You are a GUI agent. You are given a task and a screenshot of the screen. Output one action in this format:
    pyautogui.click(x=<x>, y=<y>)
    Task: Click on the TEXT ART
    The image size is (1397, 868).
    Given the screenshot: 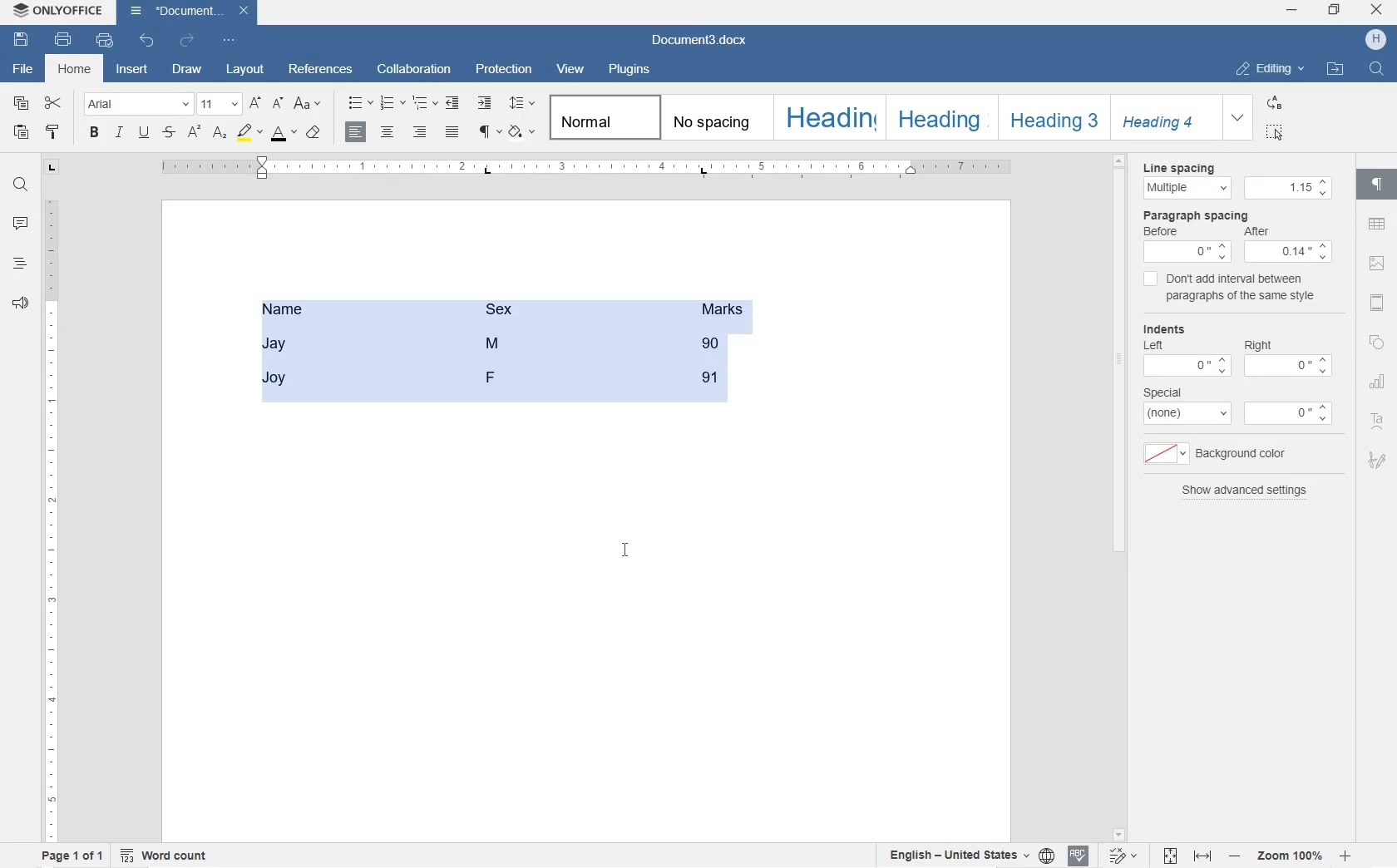 What is the action you would take?
    pyautogui.click(x=1378, y=418)
    